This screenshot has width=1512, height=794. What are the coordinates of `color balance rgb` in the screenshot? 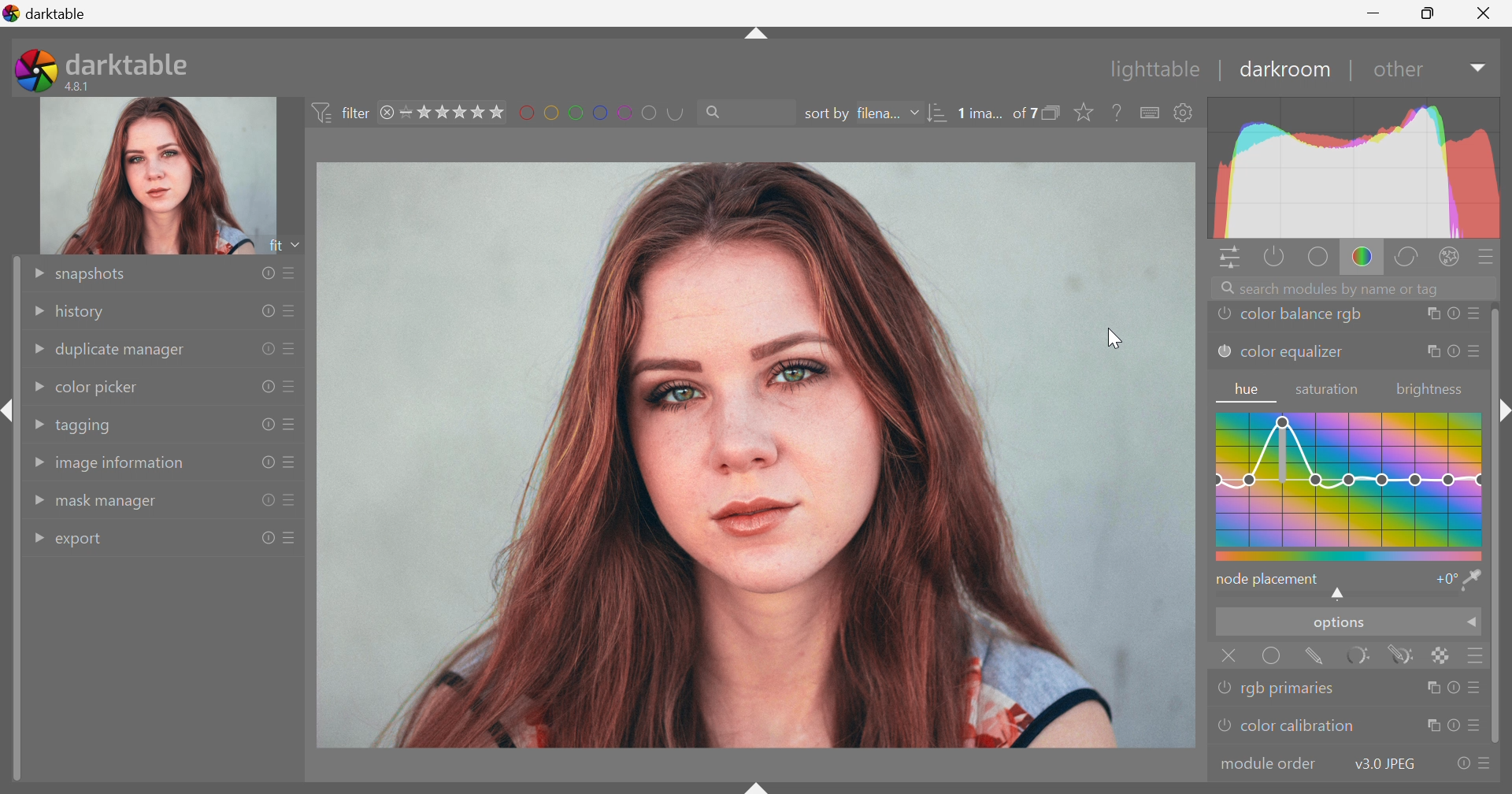 It's located at (1303, 315).